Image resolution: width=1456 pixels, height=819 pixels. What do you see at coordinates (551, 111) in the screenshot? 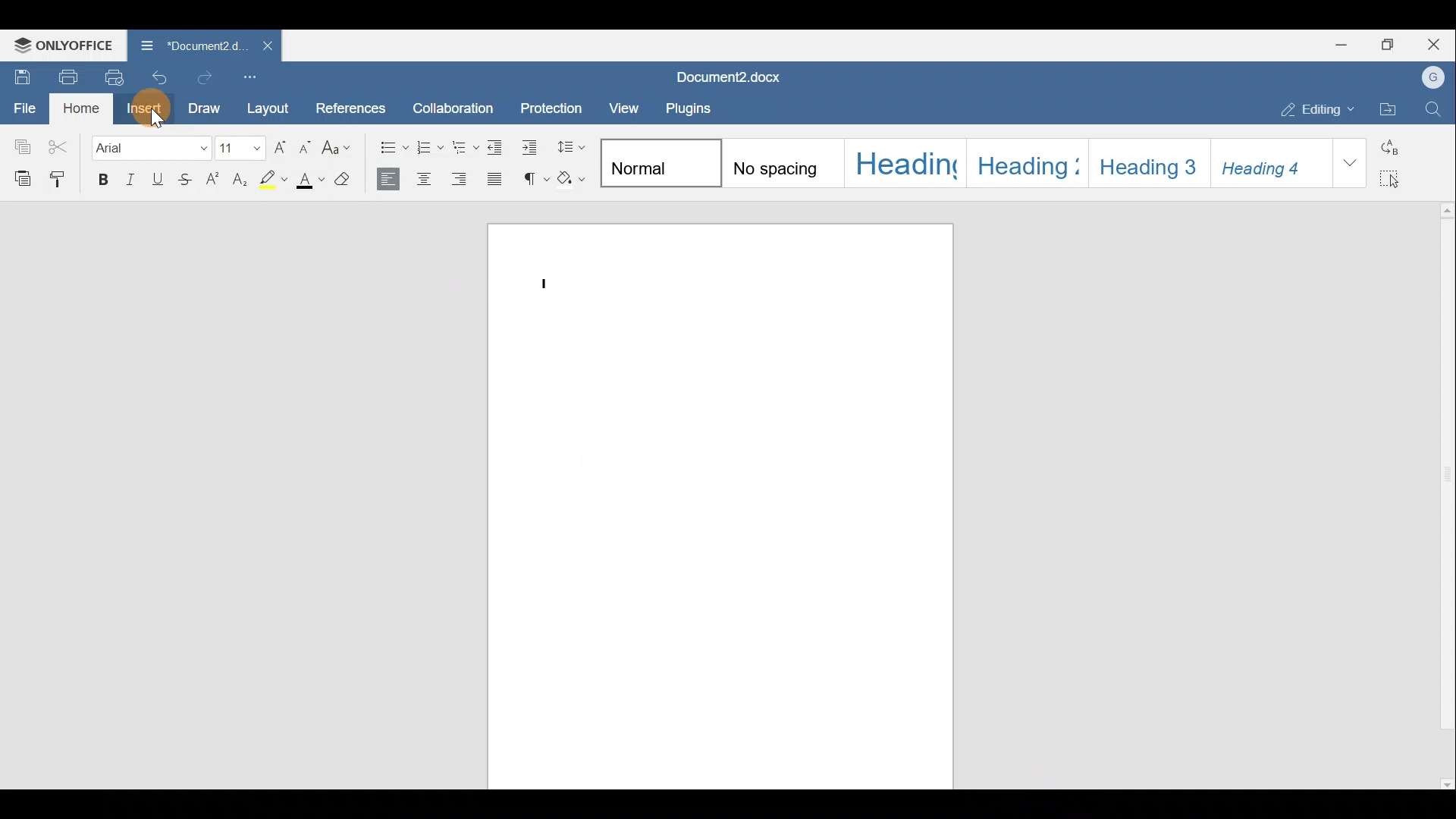
I see `Protection` at bounding box center [551, 111].